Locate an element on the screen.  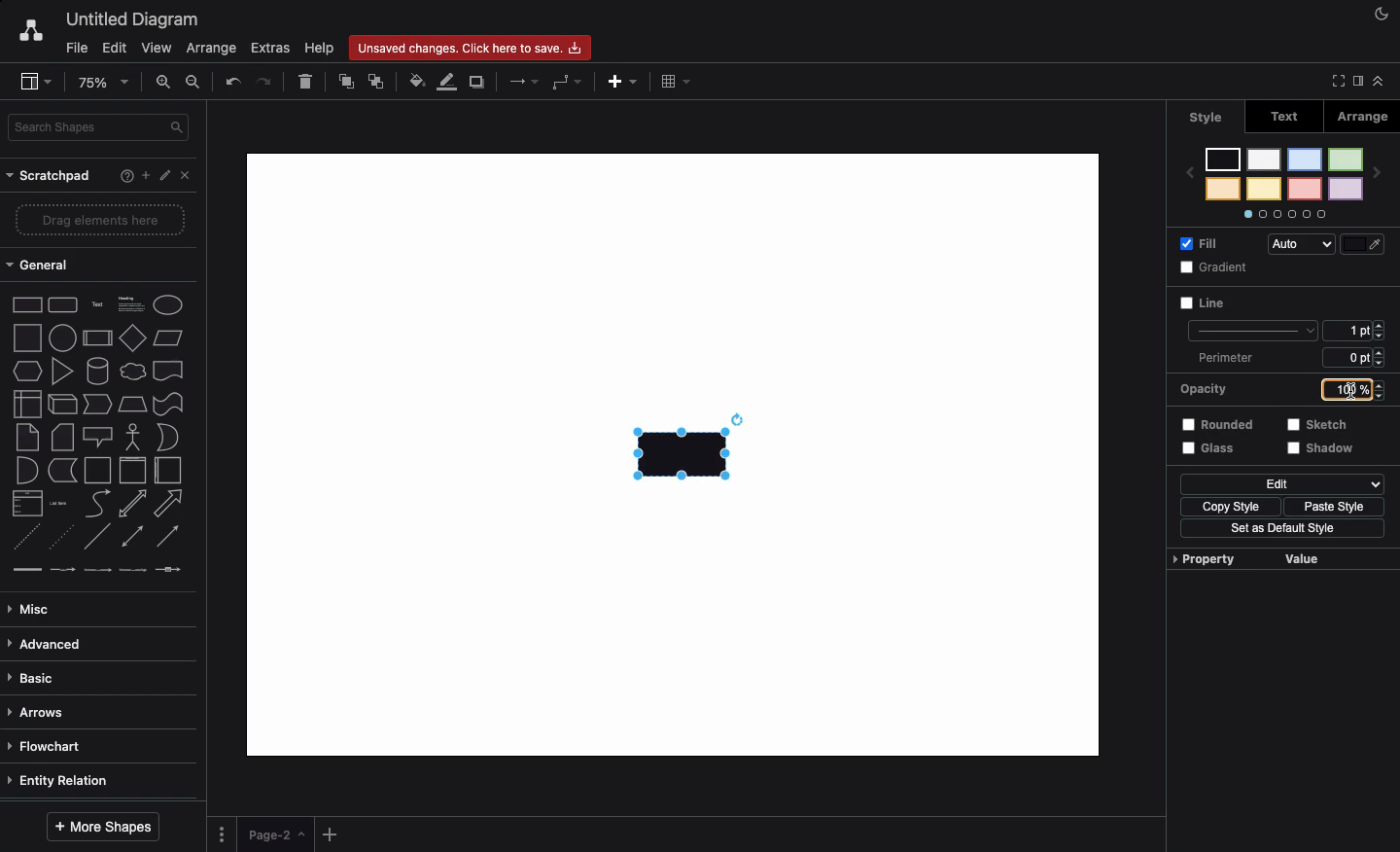
Fill is located at coordinates (1201, 243).